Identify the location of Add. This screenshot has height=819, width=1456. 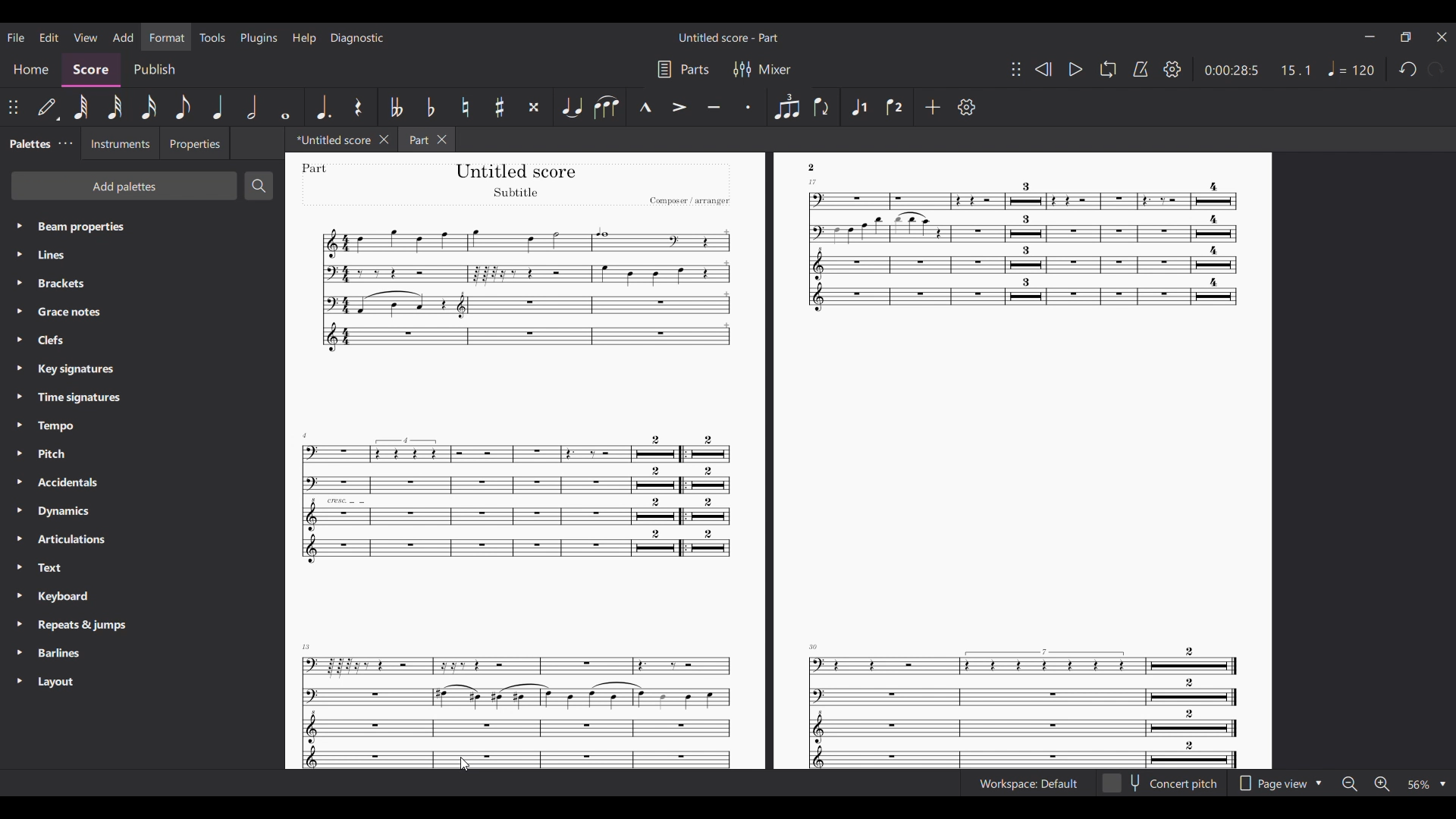
(932, 106).